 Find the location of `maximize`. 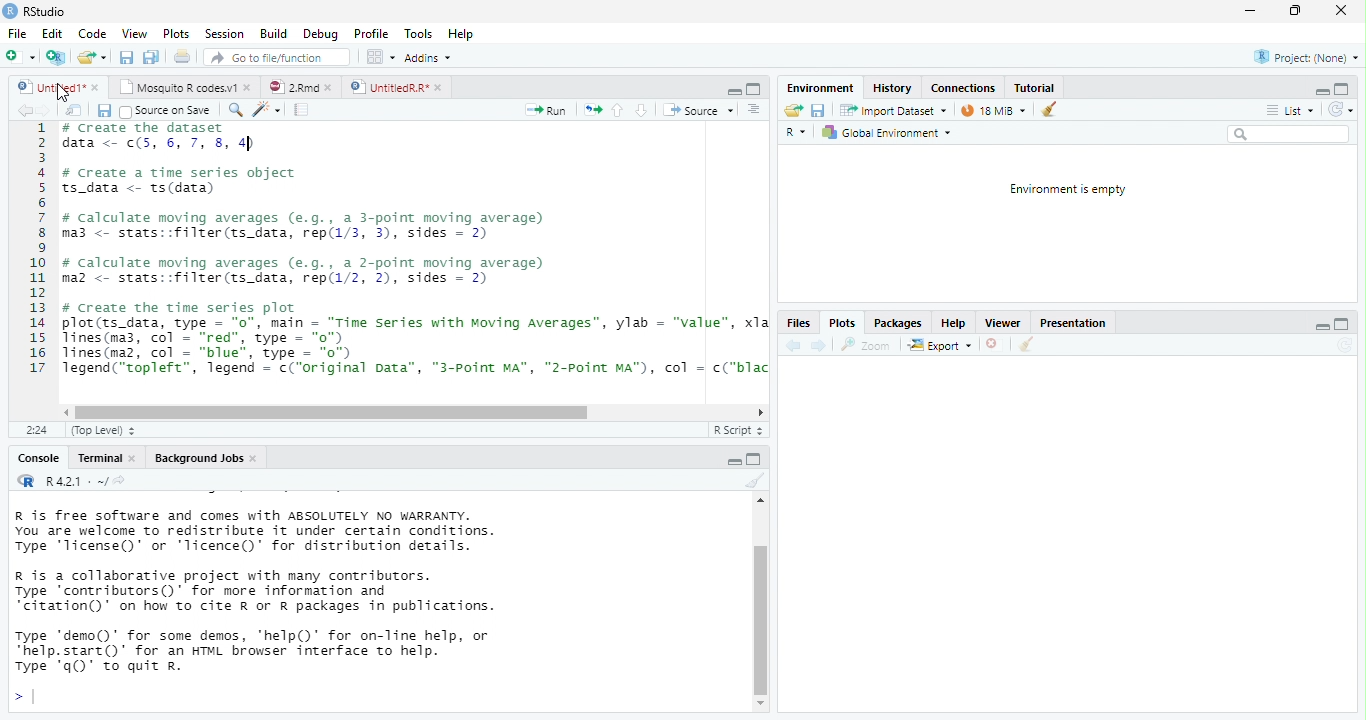

maximize is located at coordinates (1340, 325).